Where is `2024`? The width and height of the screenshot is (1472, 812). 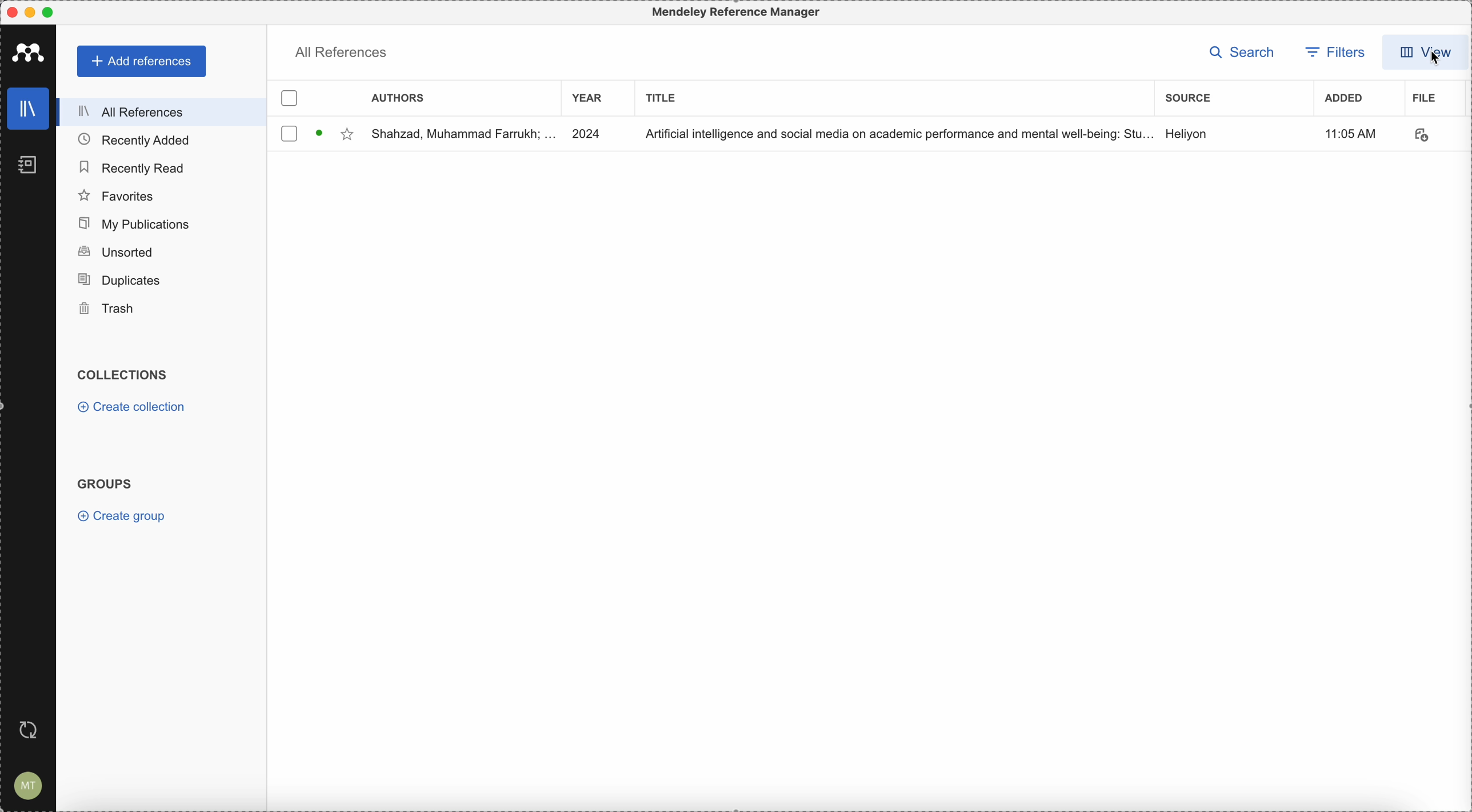
2024 is located at coordinates (590, 133).